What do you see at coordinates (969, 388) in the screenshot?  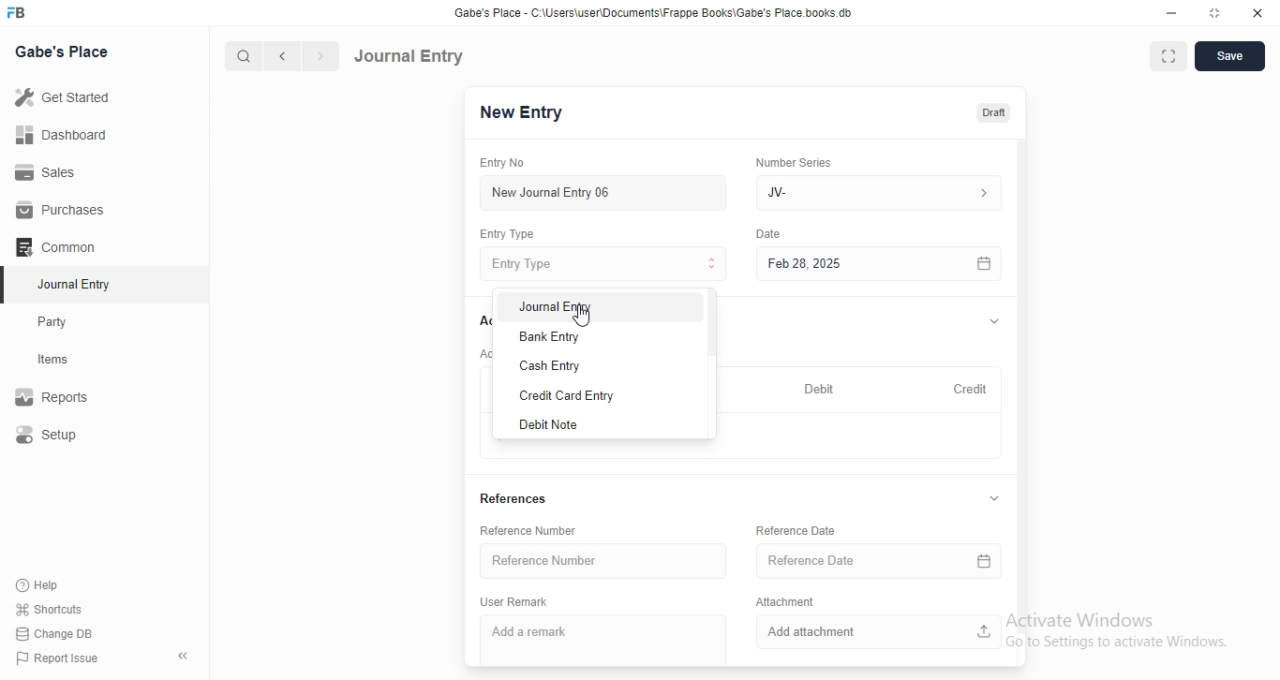 I see `Credit` at bounding box center [969, 388].